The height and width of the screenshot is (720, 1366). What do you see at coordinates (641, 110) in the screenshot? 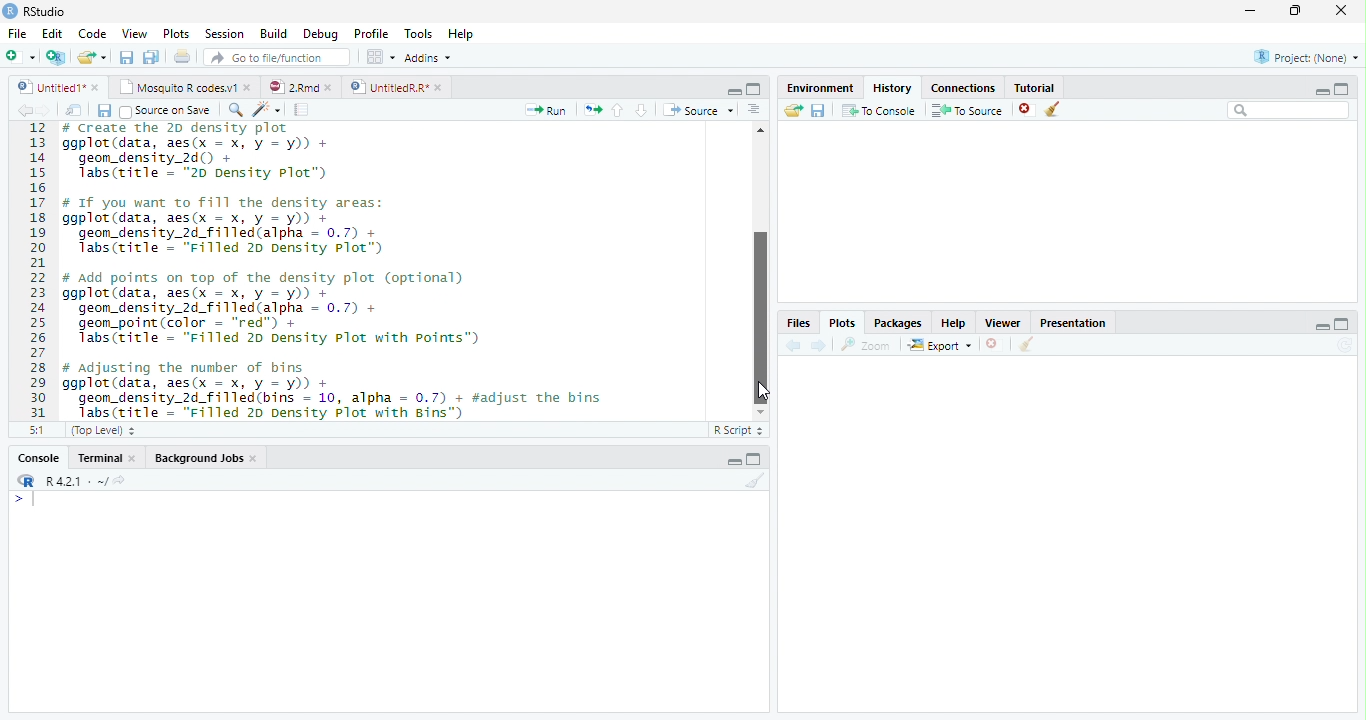
I see `down` at bounding box center [641, 110].